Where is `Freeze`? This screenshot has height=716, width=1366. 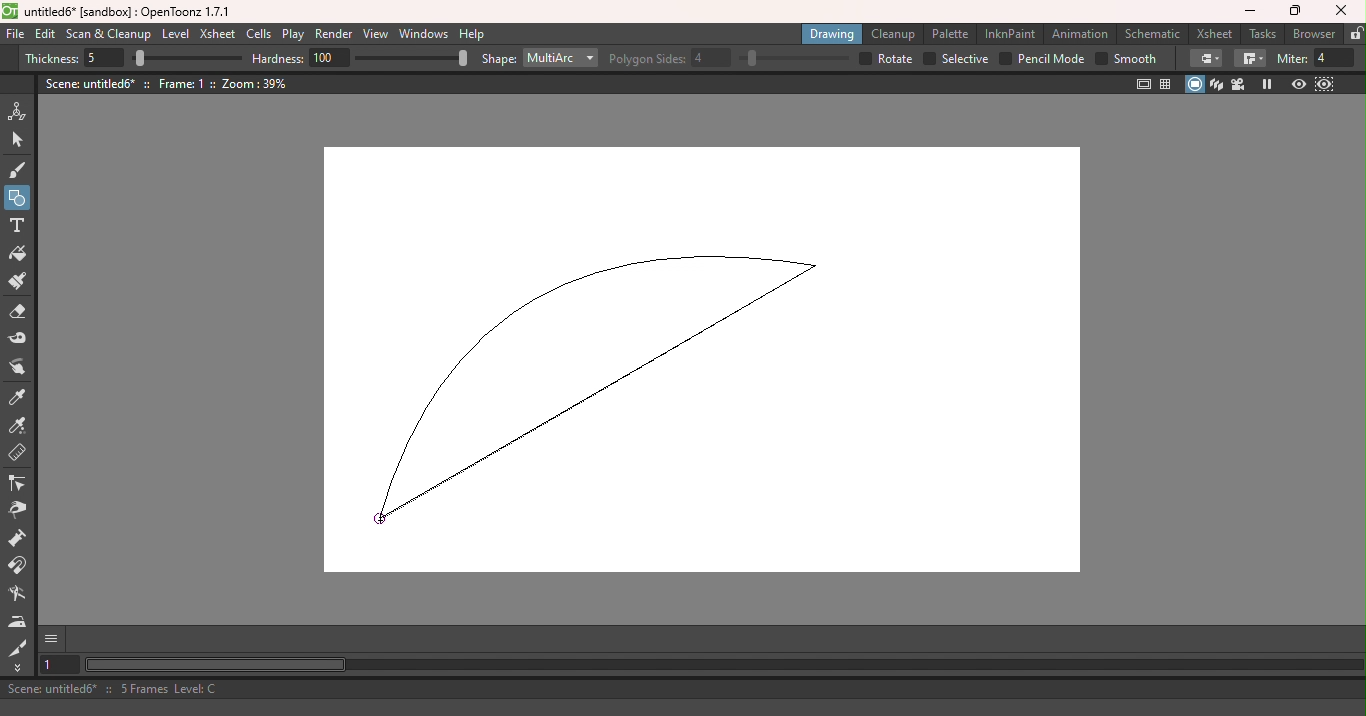 Freeze is located at coordinates (1269, 84).